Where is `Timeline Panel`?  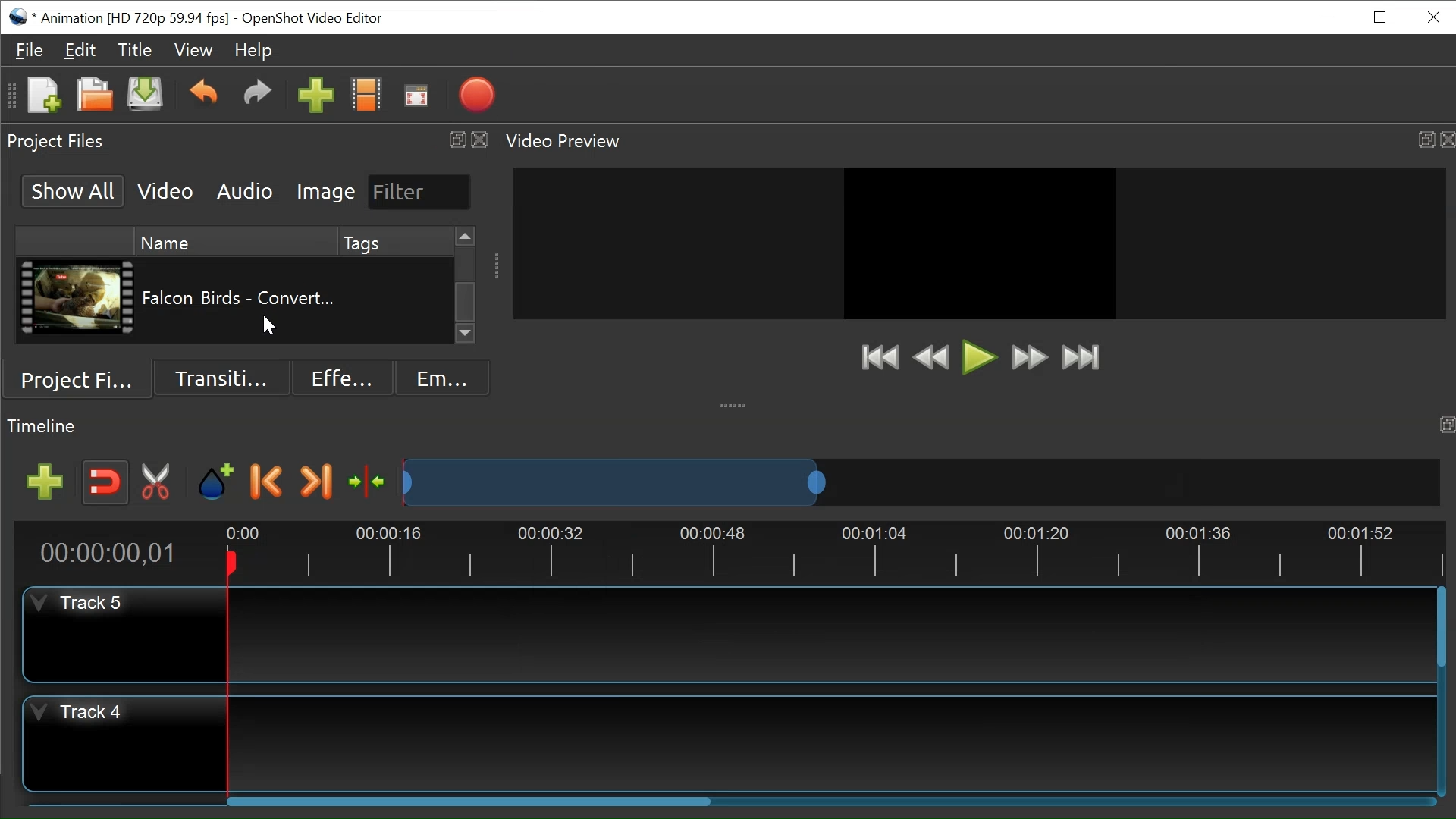
Timeline Panel is located at coordinates (44, 426).